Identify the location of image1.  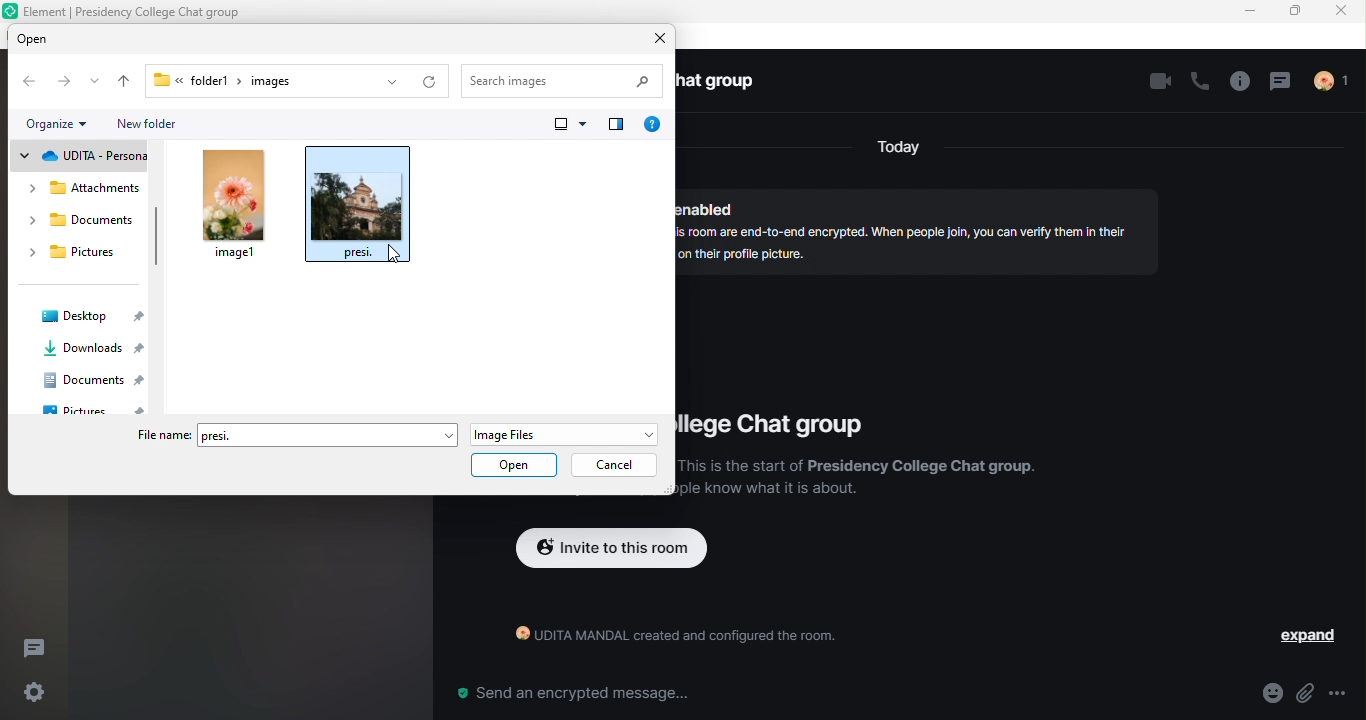
(235, 206).